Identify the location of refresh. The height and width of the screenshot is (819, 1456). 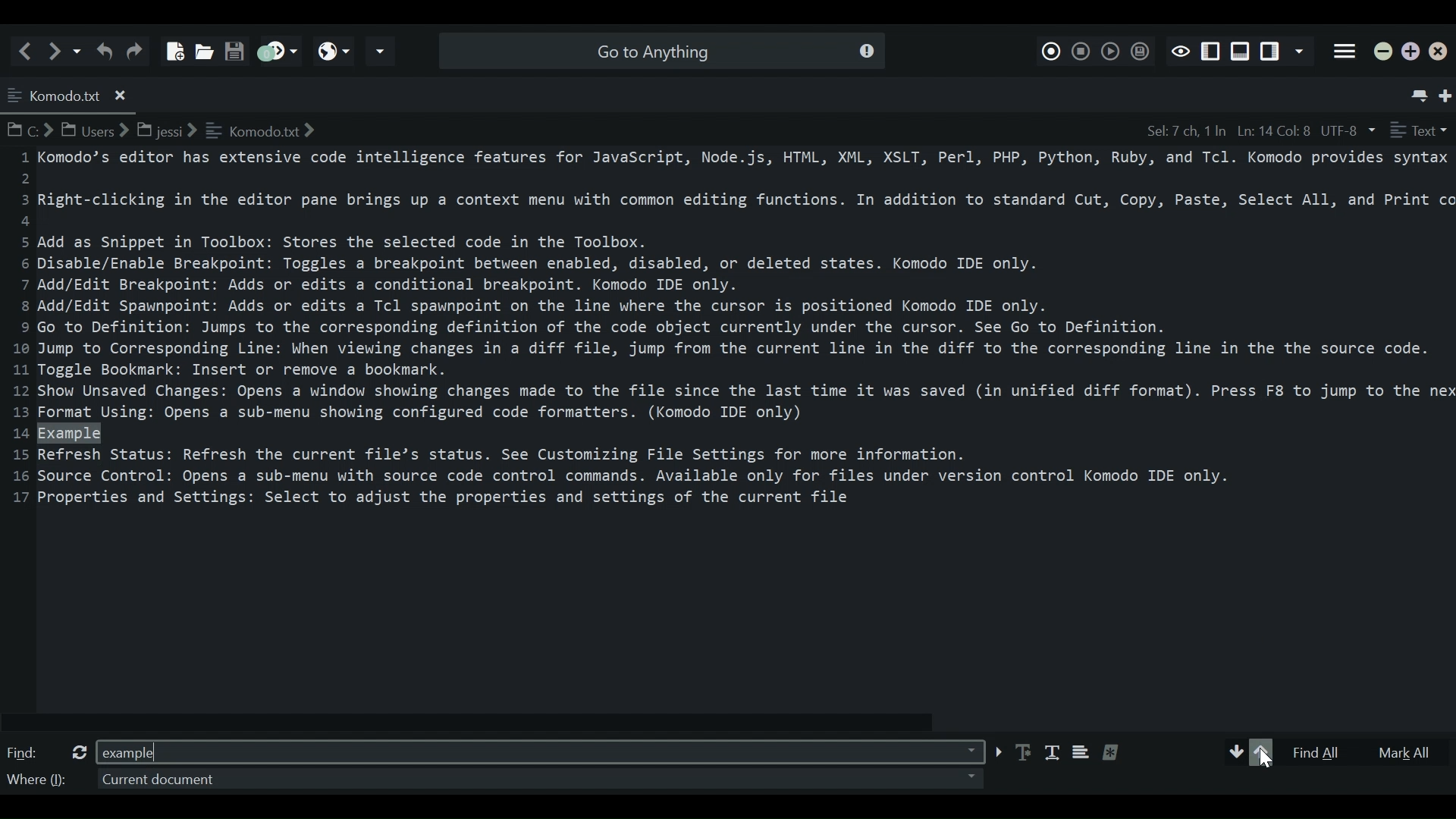
(76, 752).